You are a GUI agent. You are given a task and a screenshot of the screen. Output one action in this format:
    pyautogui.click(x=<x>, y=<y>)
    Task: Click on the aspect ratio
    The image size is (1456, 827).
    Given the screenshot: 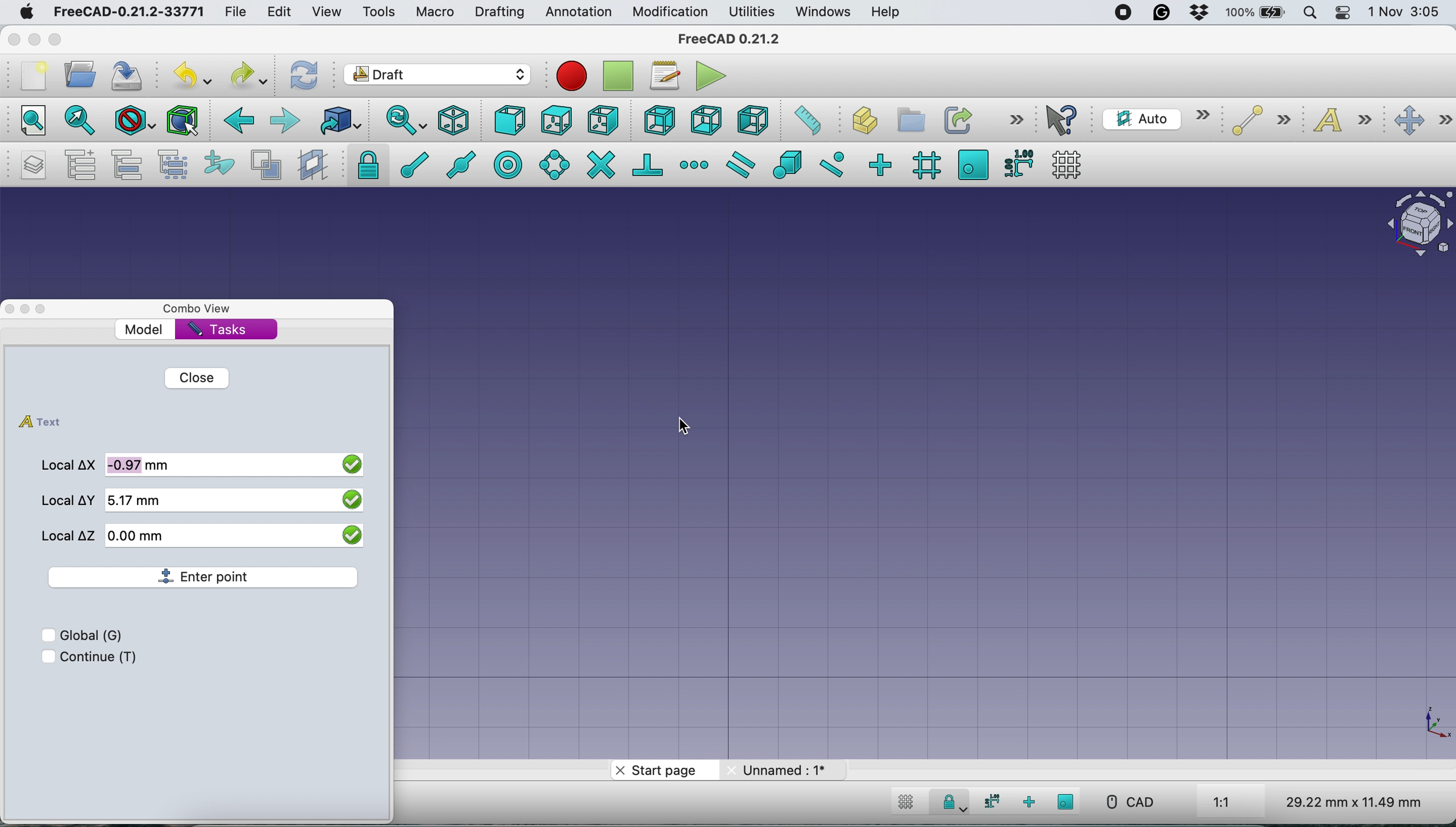 What is the action you would take?
    pyautogui.click(x=1233, y=800)
    